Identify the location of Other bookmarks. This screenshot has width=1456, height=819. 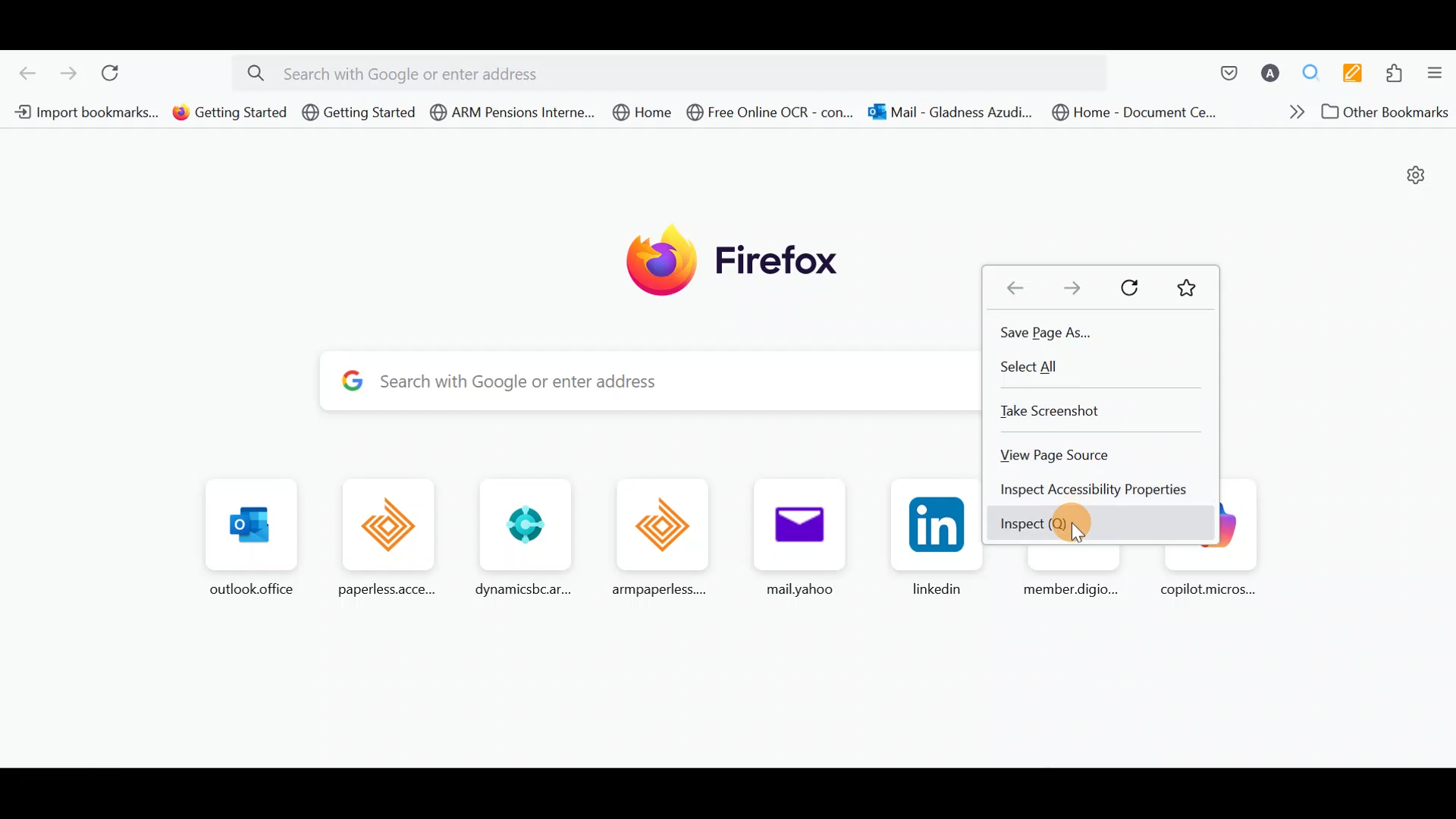
(1382, 111).